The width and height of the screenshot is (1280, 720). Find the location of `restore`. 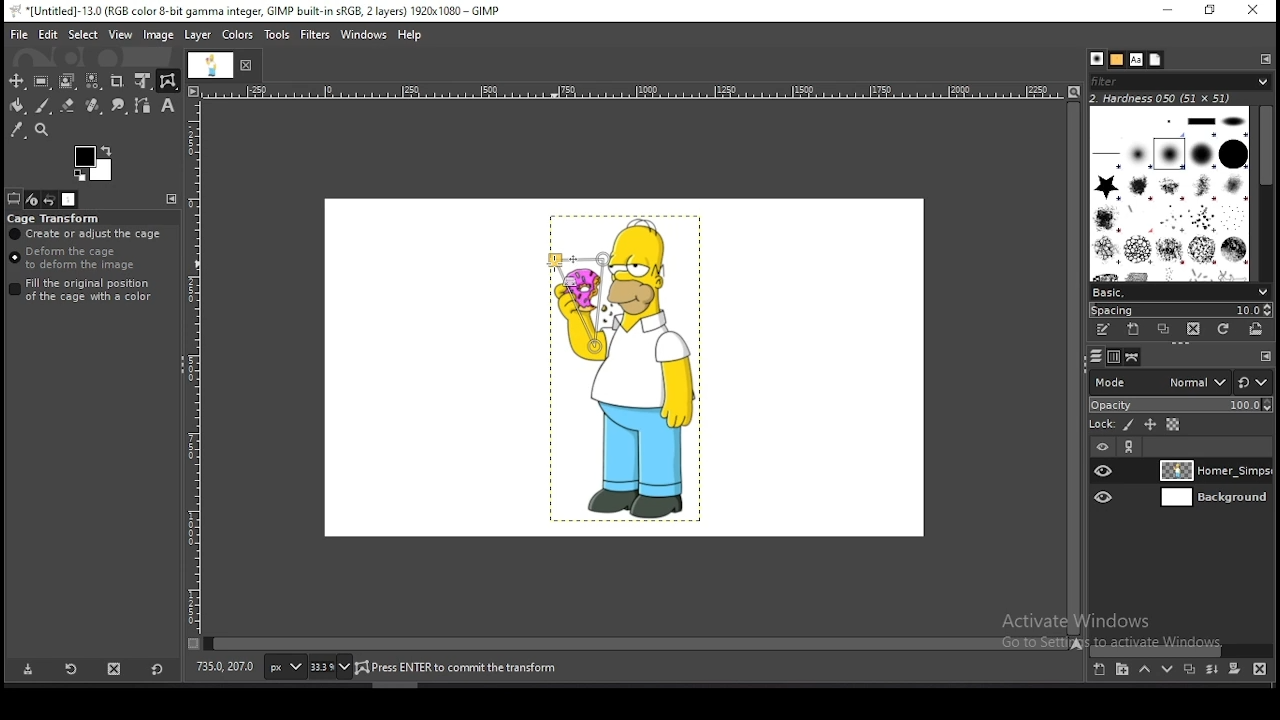

restore is located at coordinates (1207, 11).